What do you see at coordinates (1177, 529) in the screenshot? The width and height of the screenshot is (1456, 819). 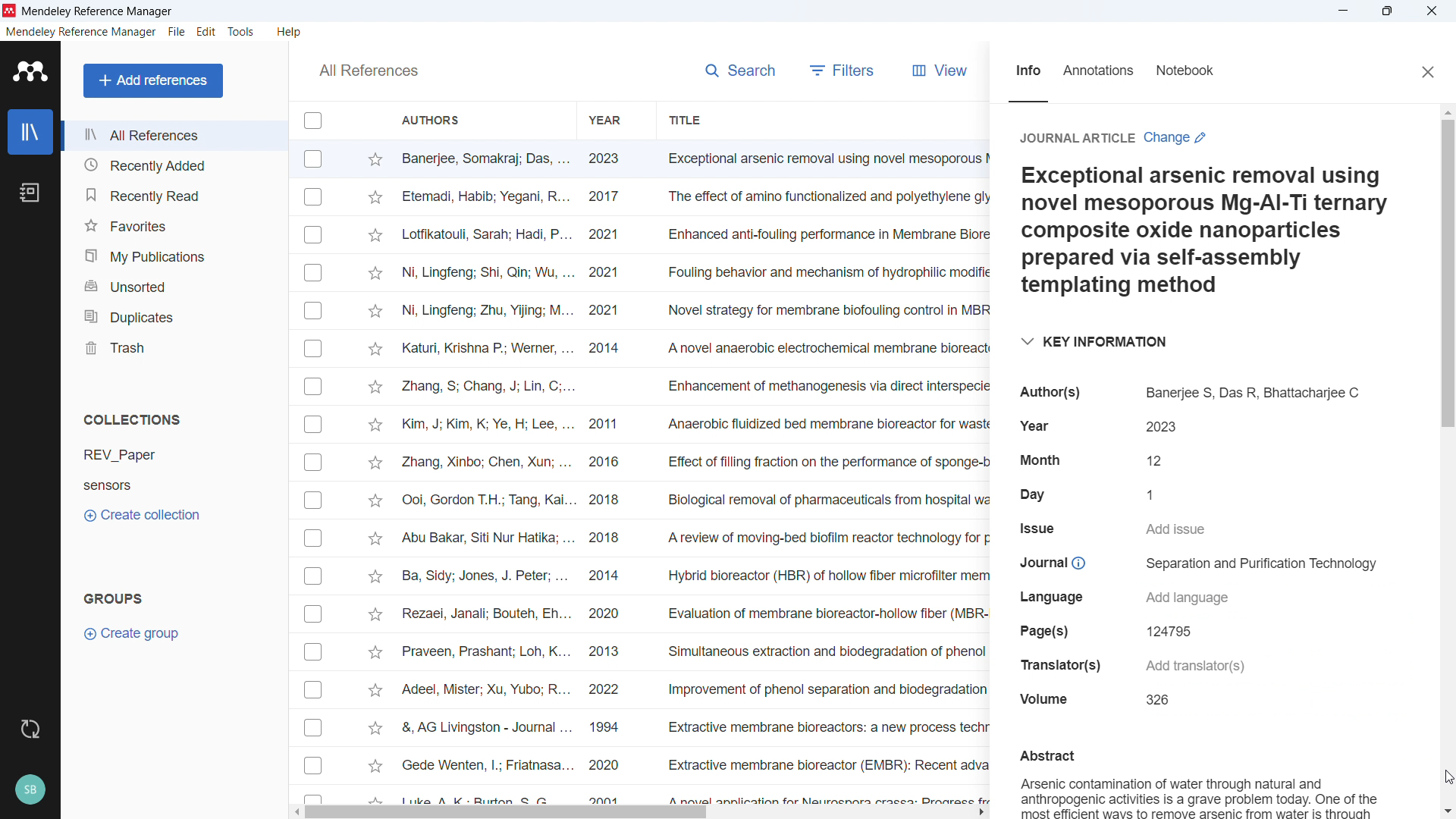 I see `add issue` at bounding box center [1177, 529].